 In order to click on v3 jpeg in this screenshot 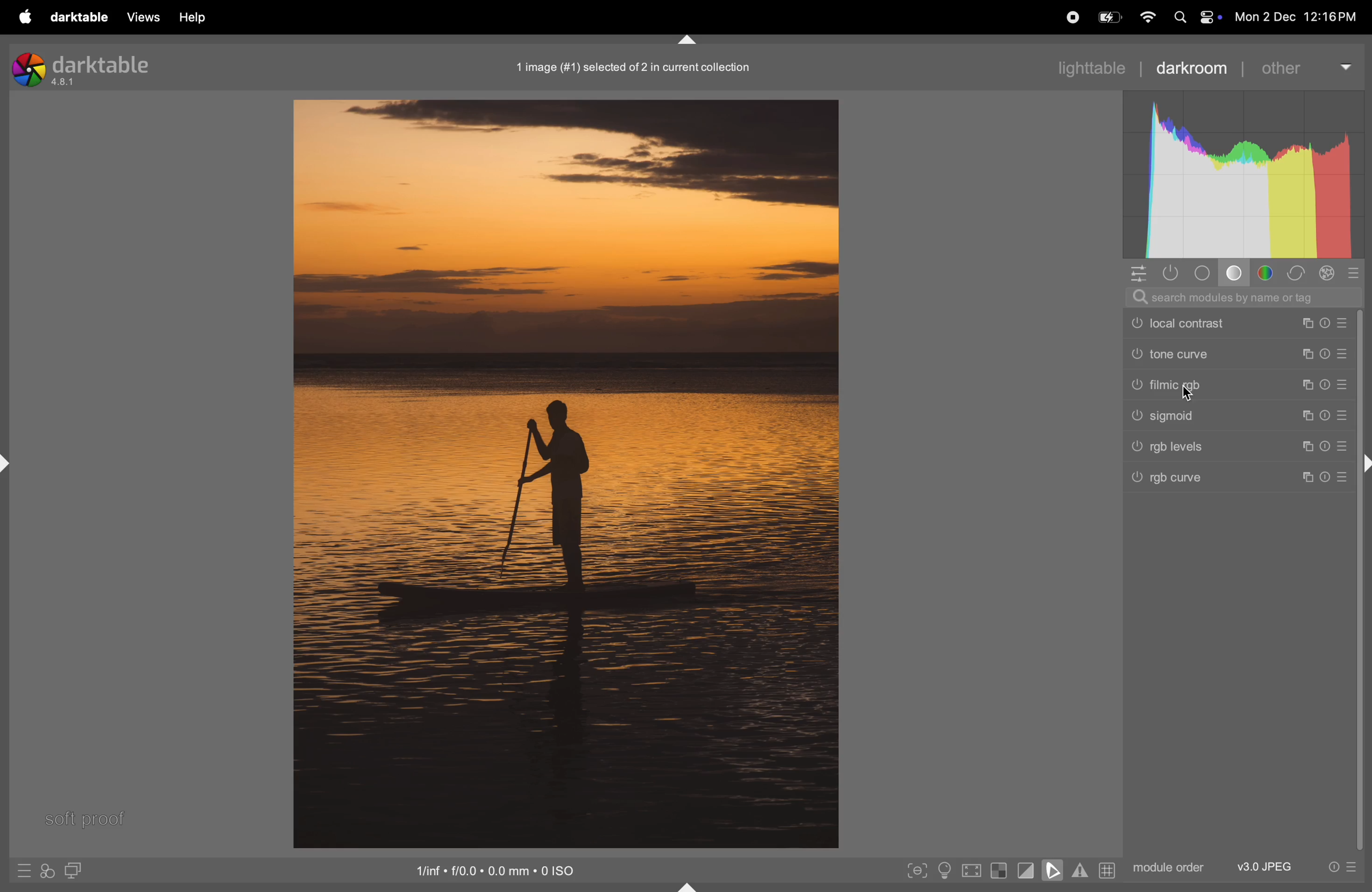, I will do `click(1264, 866)`.